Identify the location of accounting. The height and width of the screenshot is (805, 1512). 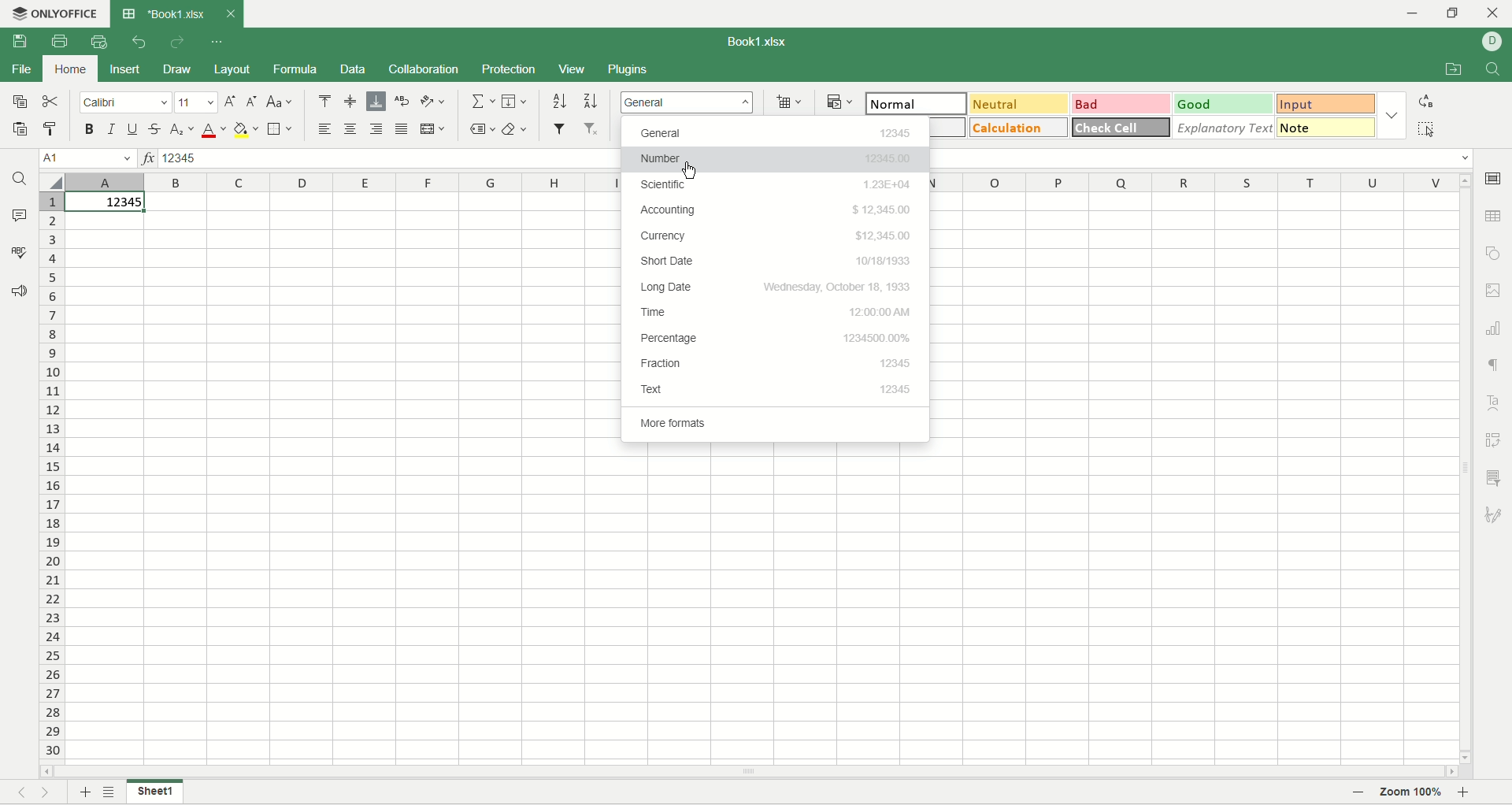
(774, 208).